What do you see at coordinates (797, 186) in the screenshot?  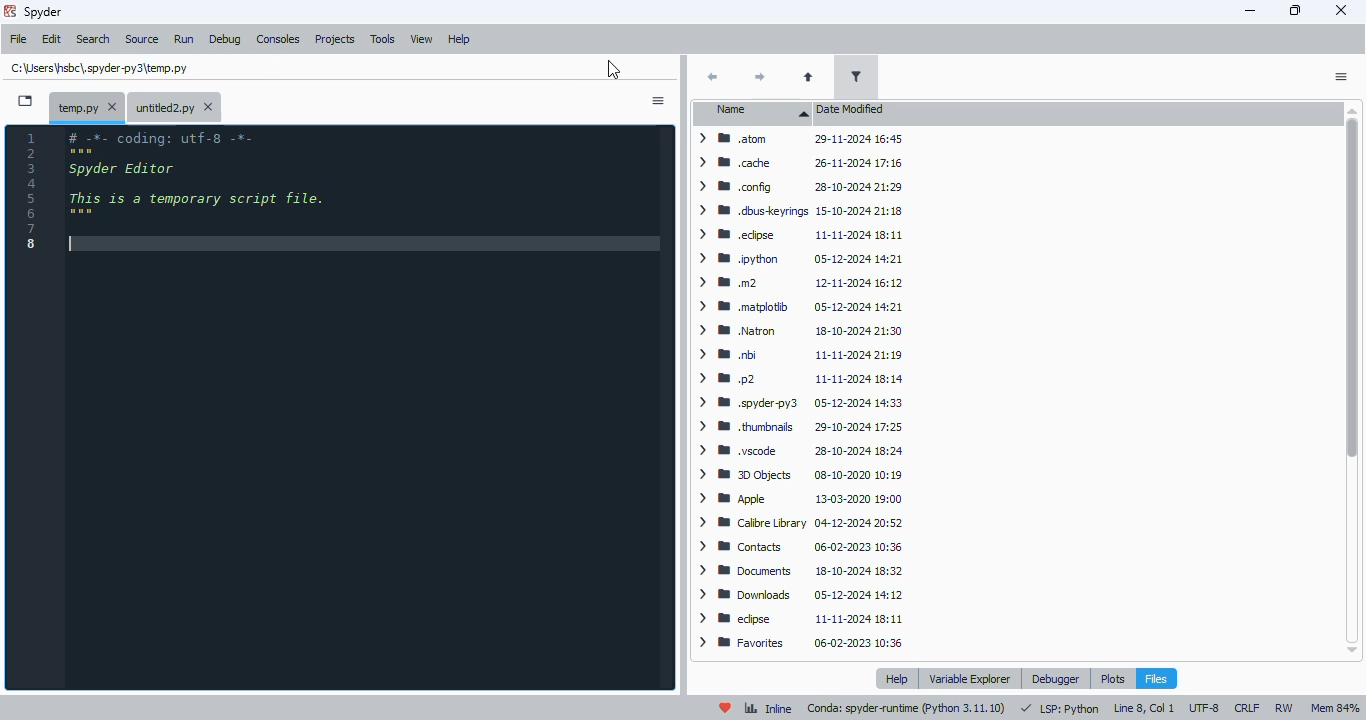 I see `> MW config 28-10-2024 21:29` at bounding box center [797, 186].